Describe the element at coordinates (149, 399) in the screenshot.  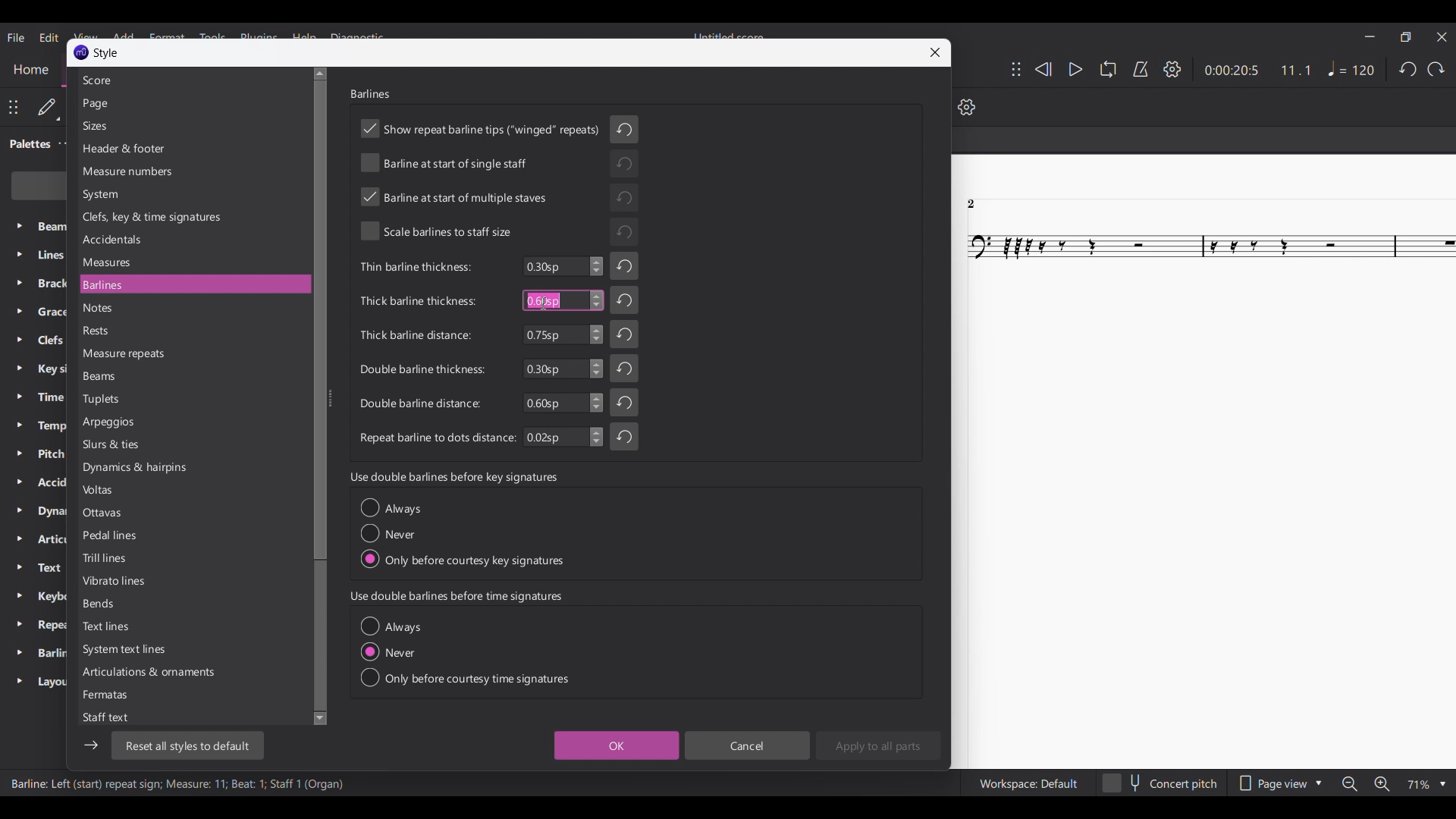
I see `Settings to choose from` at that location.